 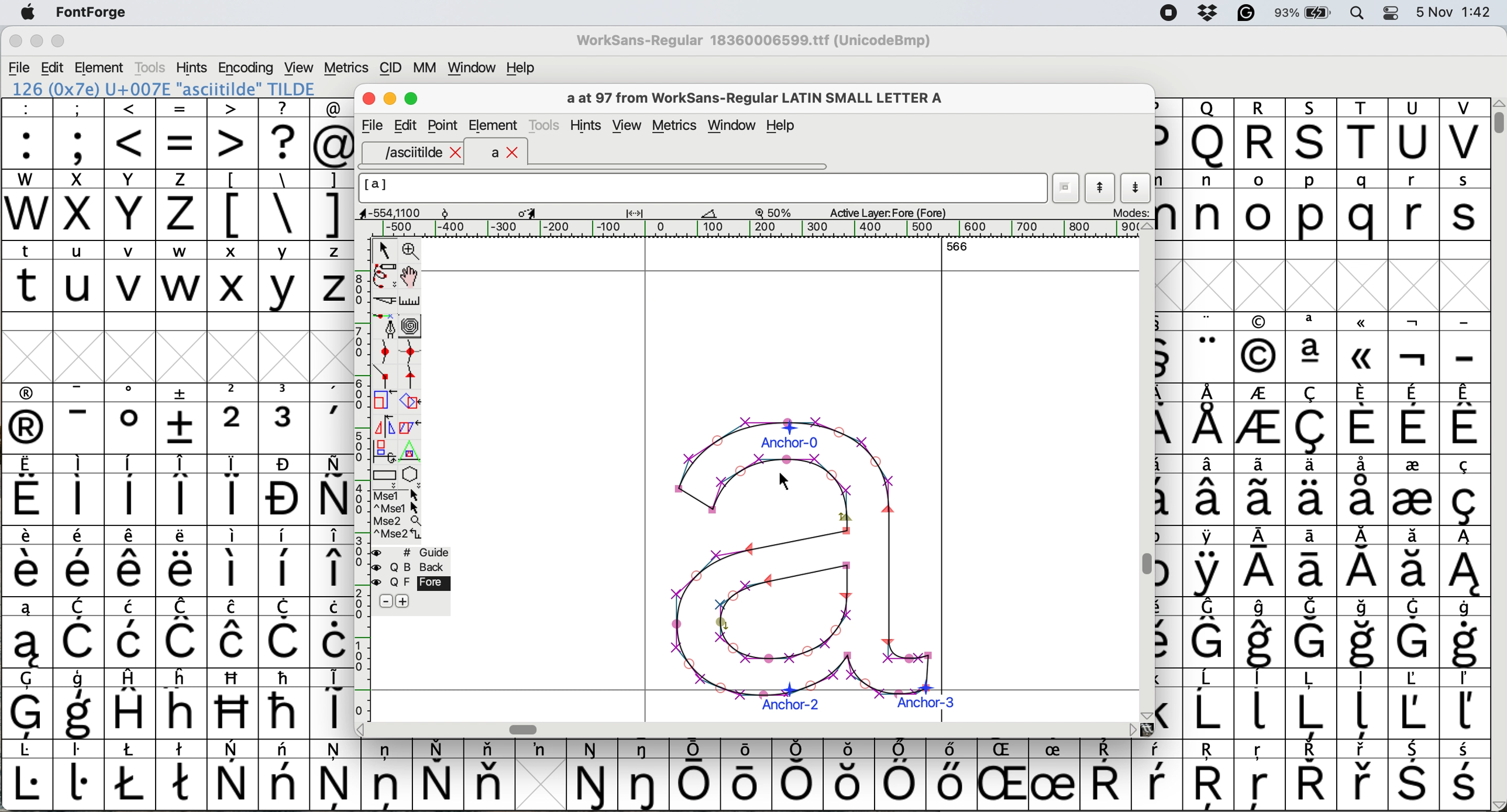 I want to click on element, so click(x=494, y=127).